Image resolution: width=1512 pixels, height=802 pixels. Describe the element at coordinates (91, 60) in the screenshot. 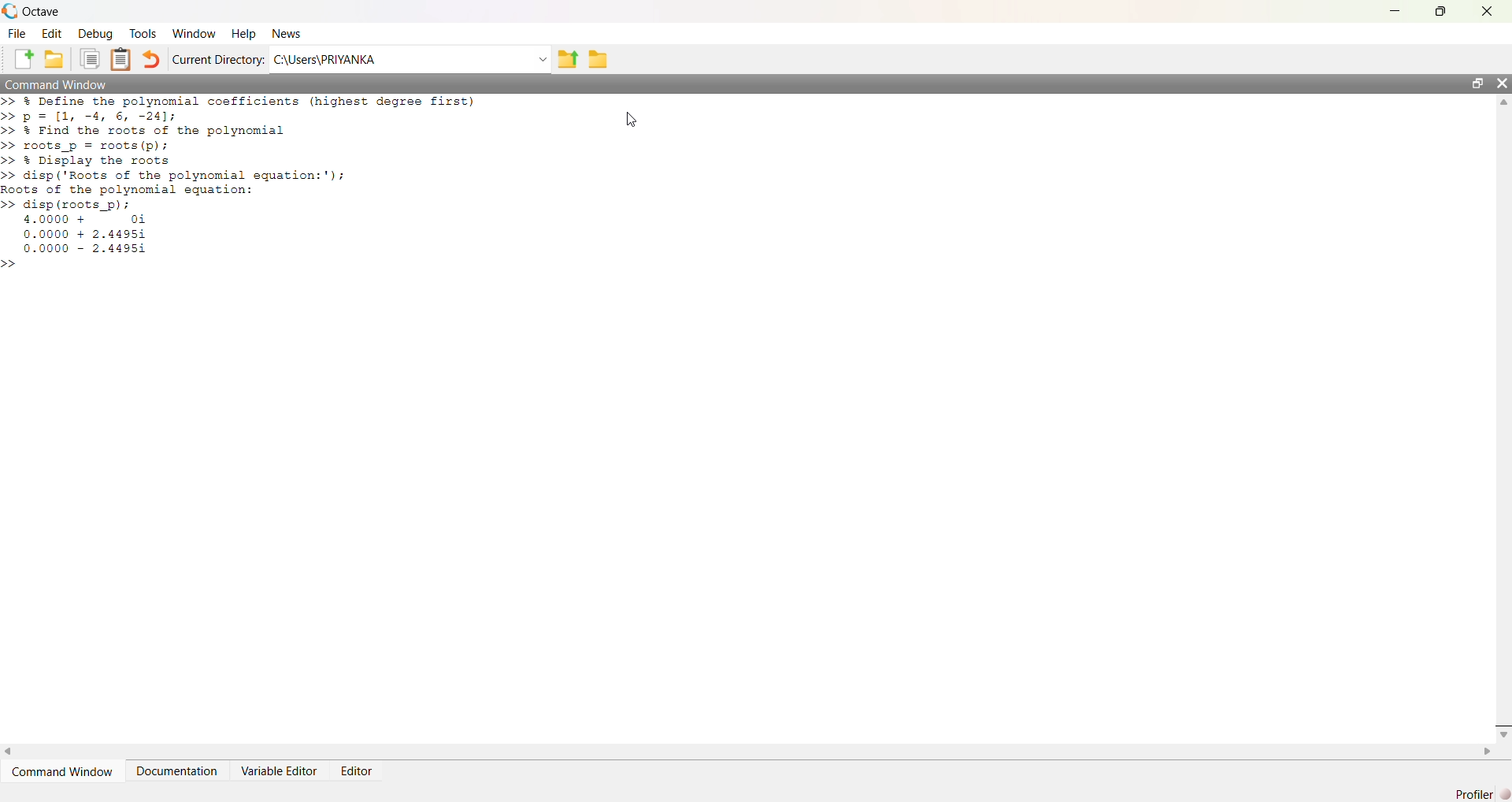

I see `Files` at that location.